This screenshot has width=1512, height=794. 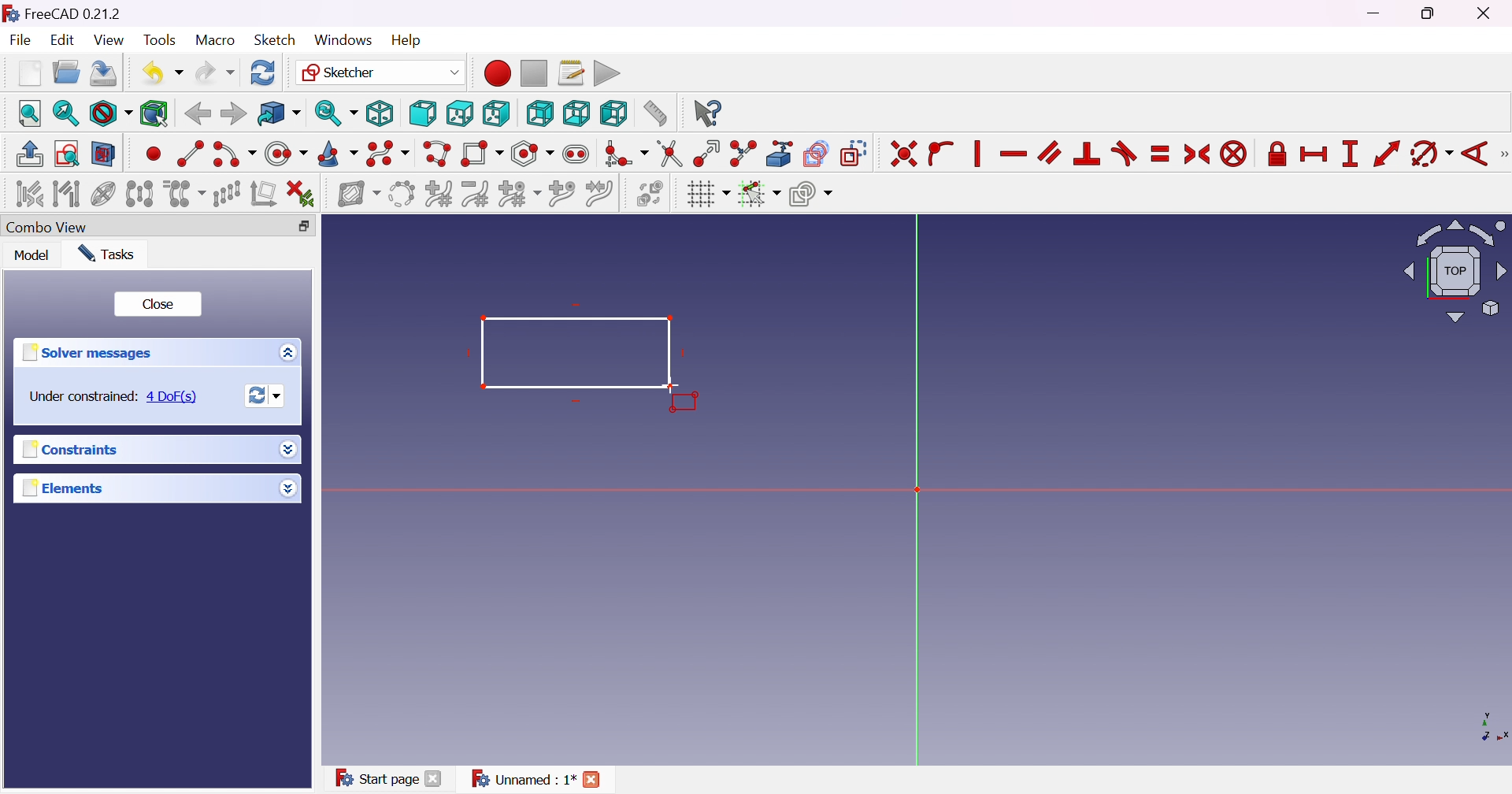 I want to click on Fit all, so click(x=30, y=113).